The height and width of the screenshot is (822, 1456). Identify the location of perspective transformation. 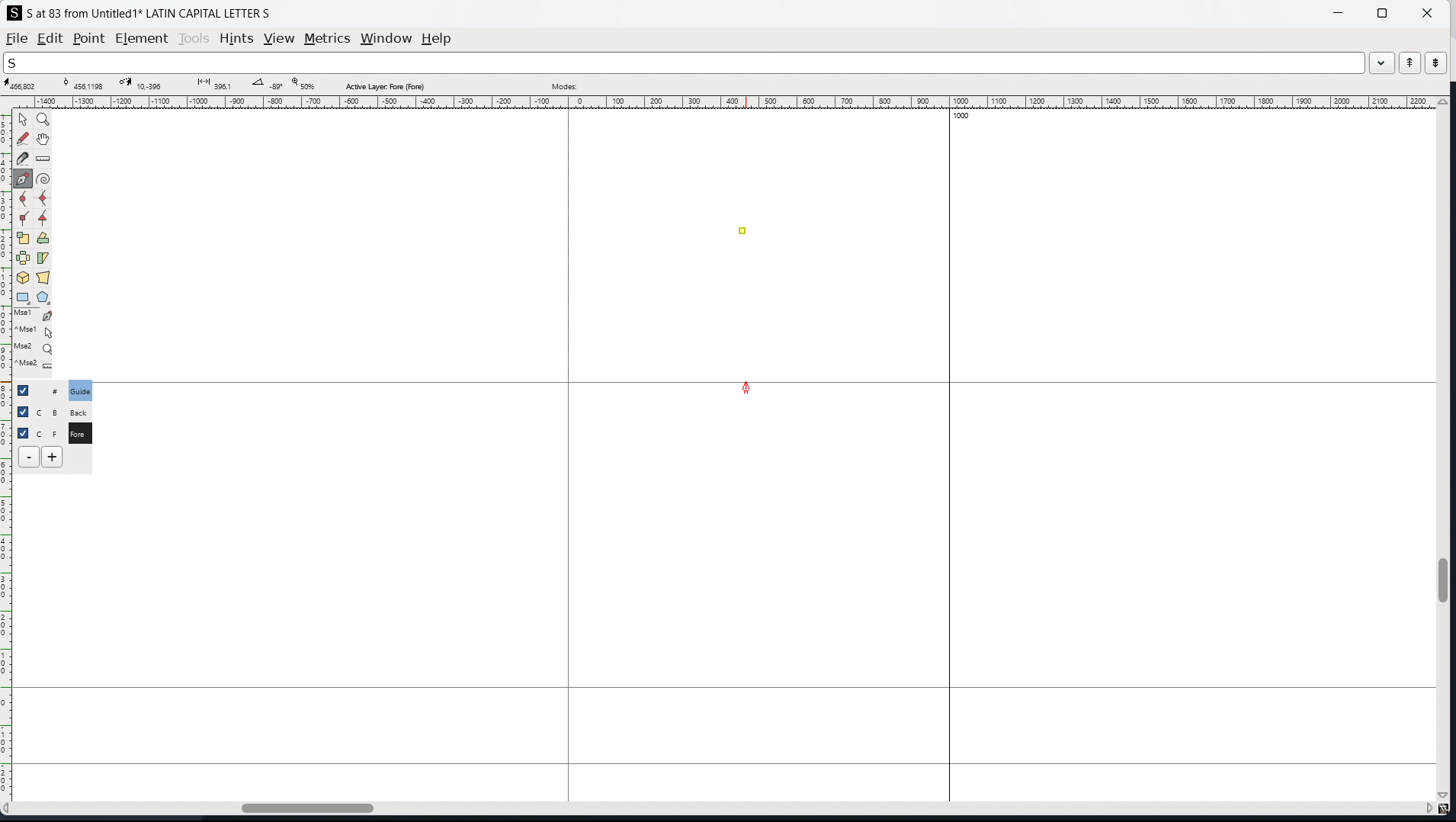
(43, 278).